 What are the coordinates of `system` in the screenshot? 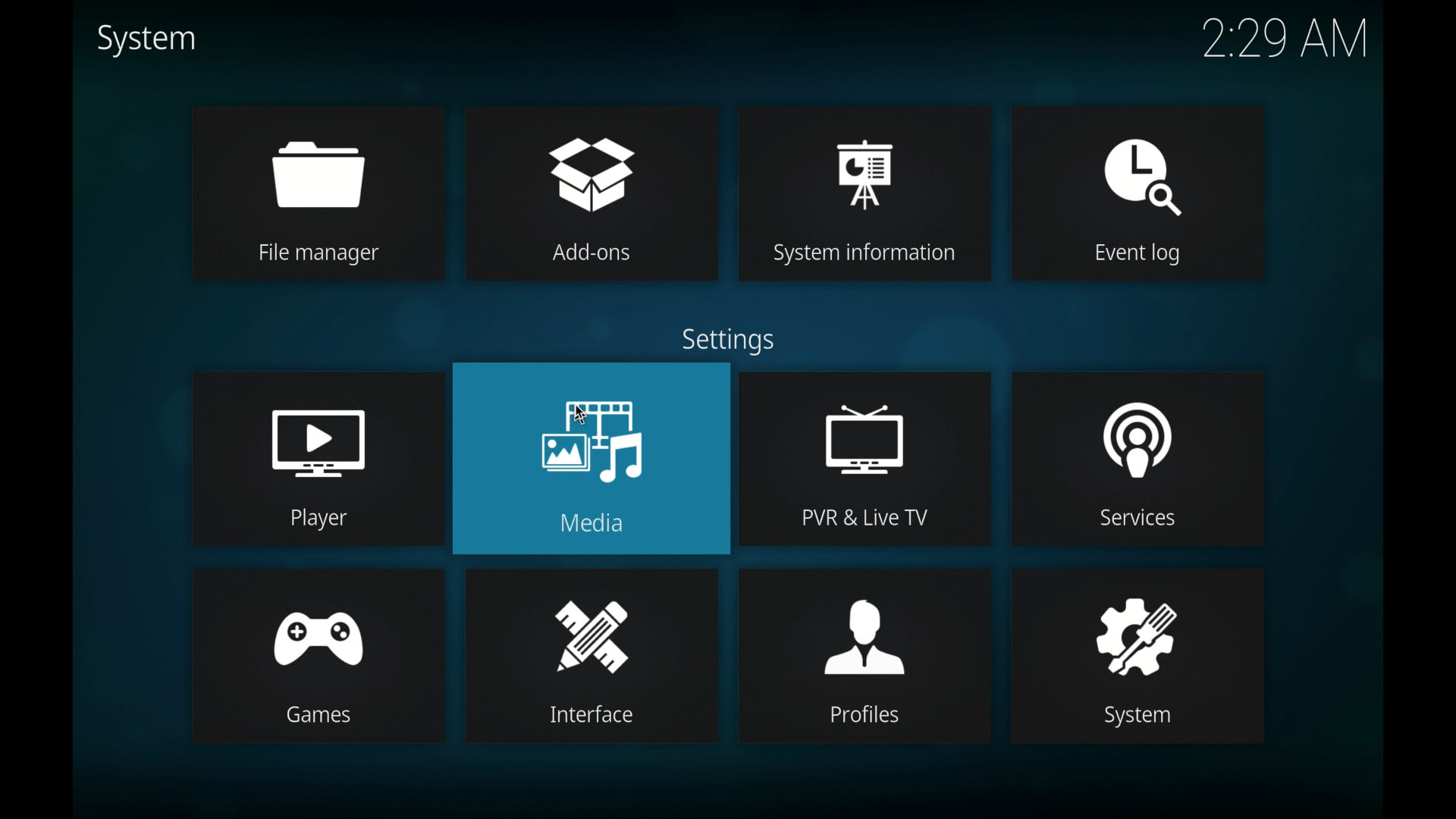 It's located at (146, 40).